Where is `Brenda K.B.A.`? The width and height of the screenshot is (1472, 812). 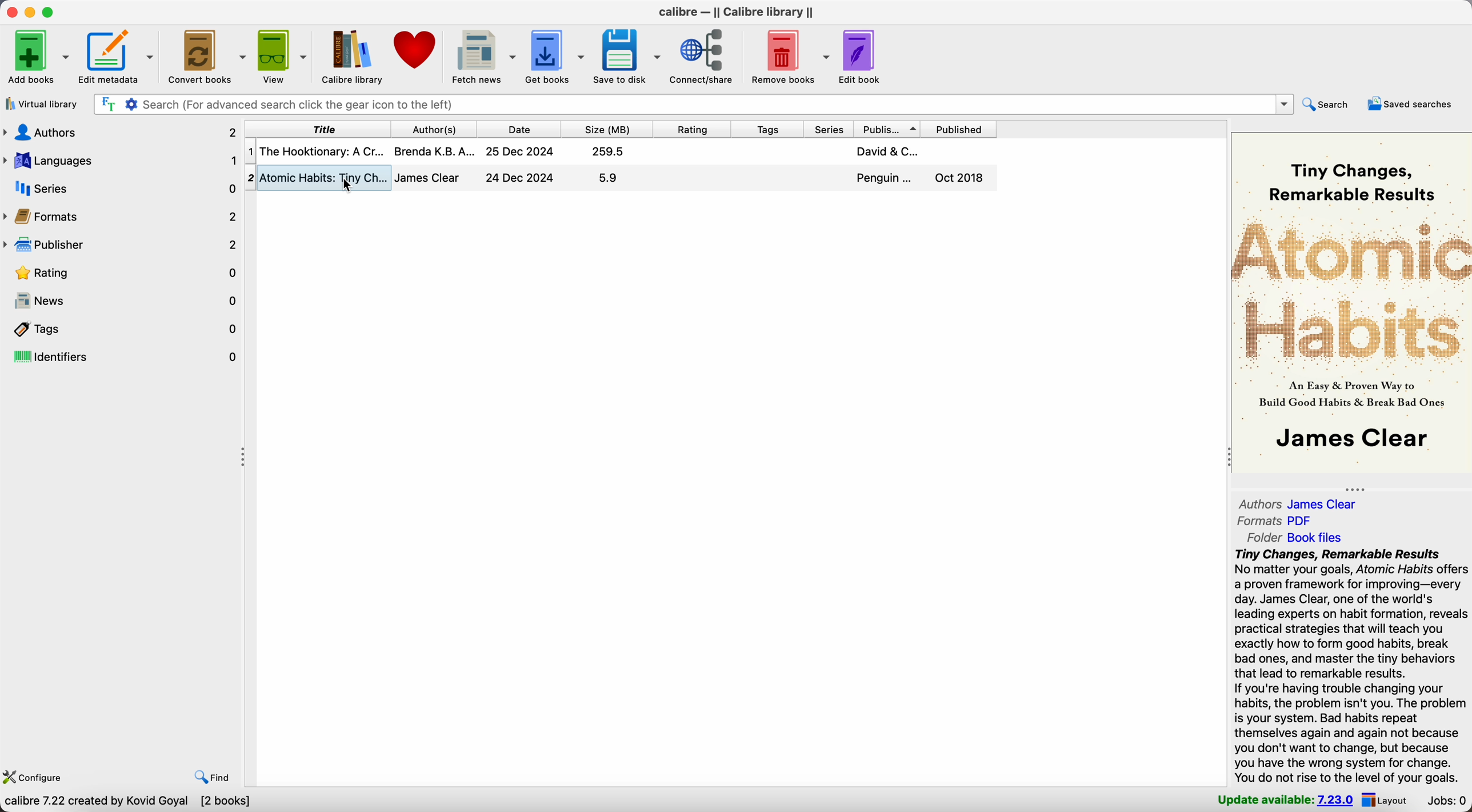 Brenda K.B.A. is located at coordinates (434, 150).